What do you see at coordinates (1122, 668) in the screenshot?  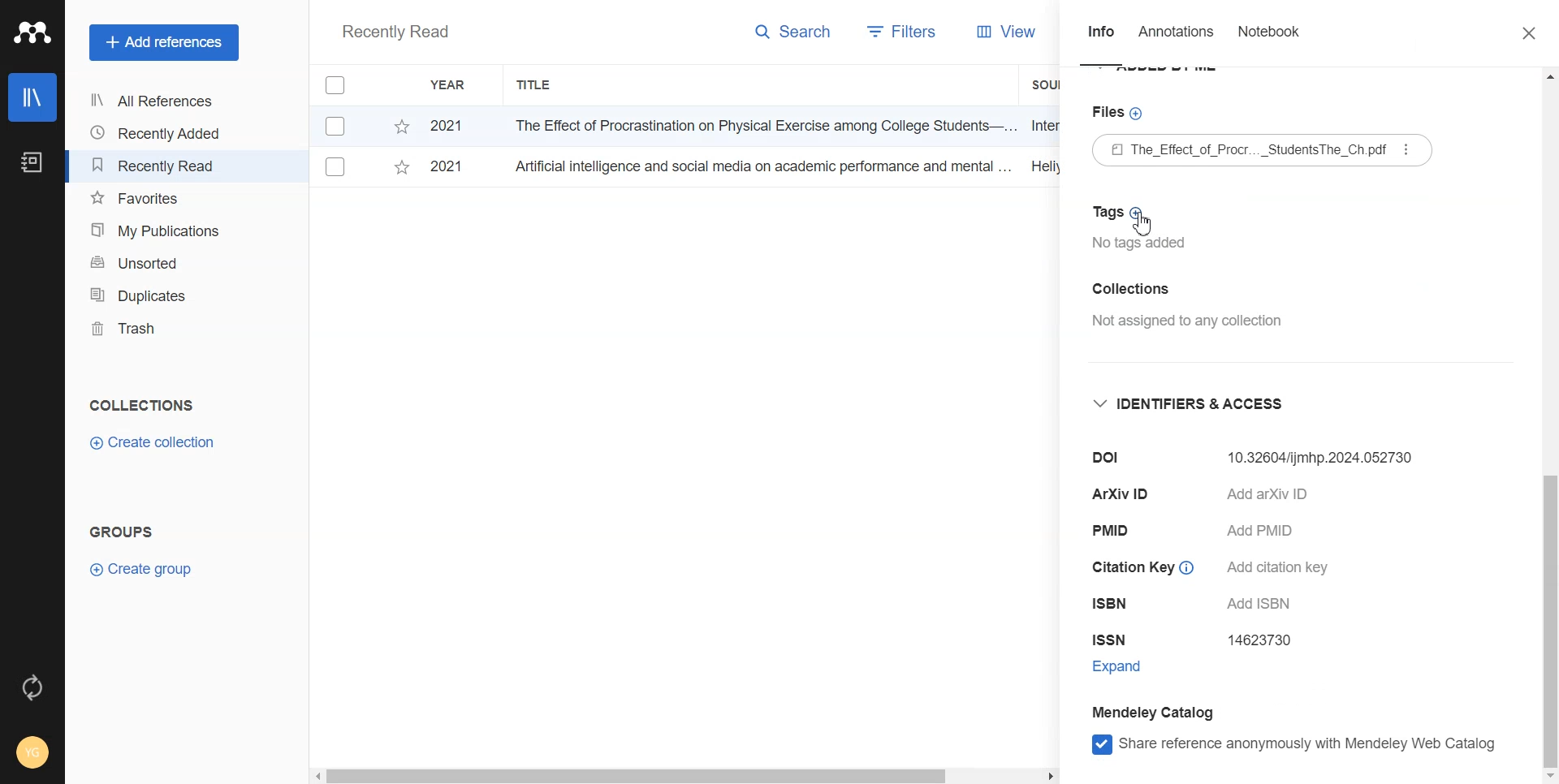 I see `Expand` at bounding box center [1122, 668].